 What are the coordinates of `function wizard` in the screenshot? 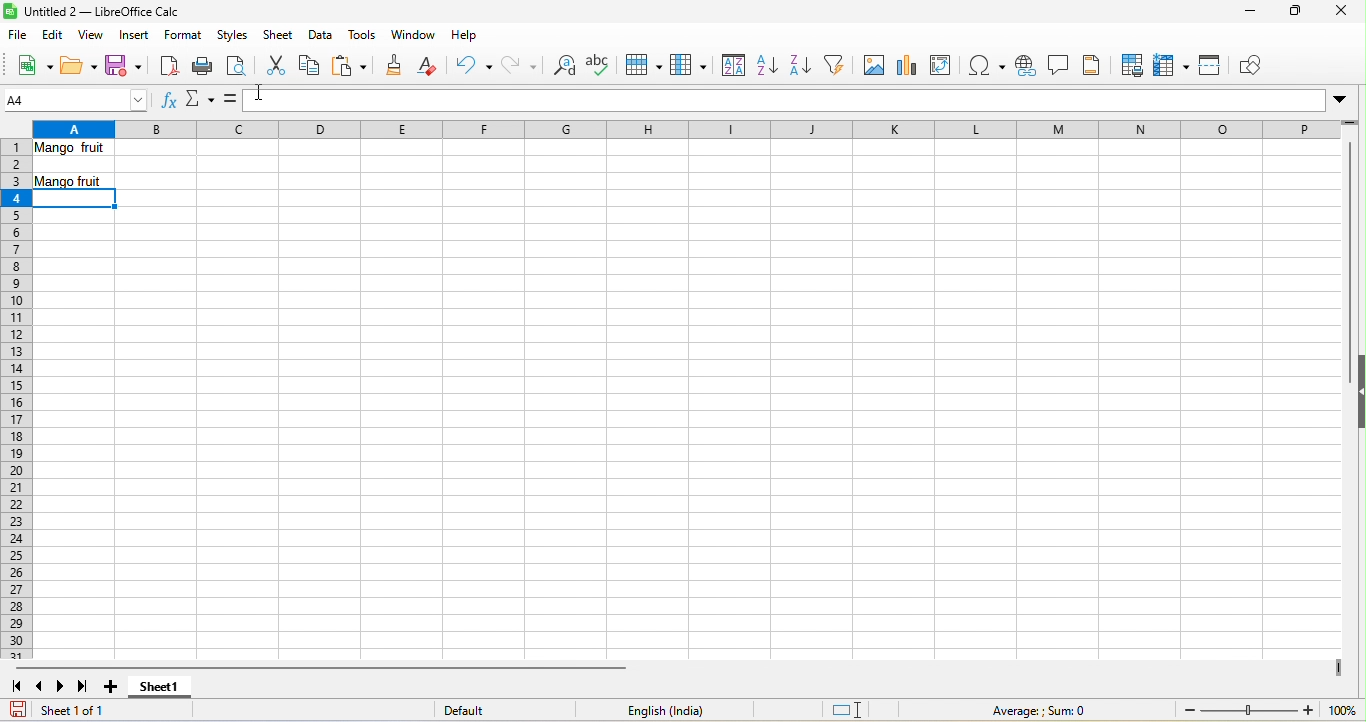 It's located at (172, 104).